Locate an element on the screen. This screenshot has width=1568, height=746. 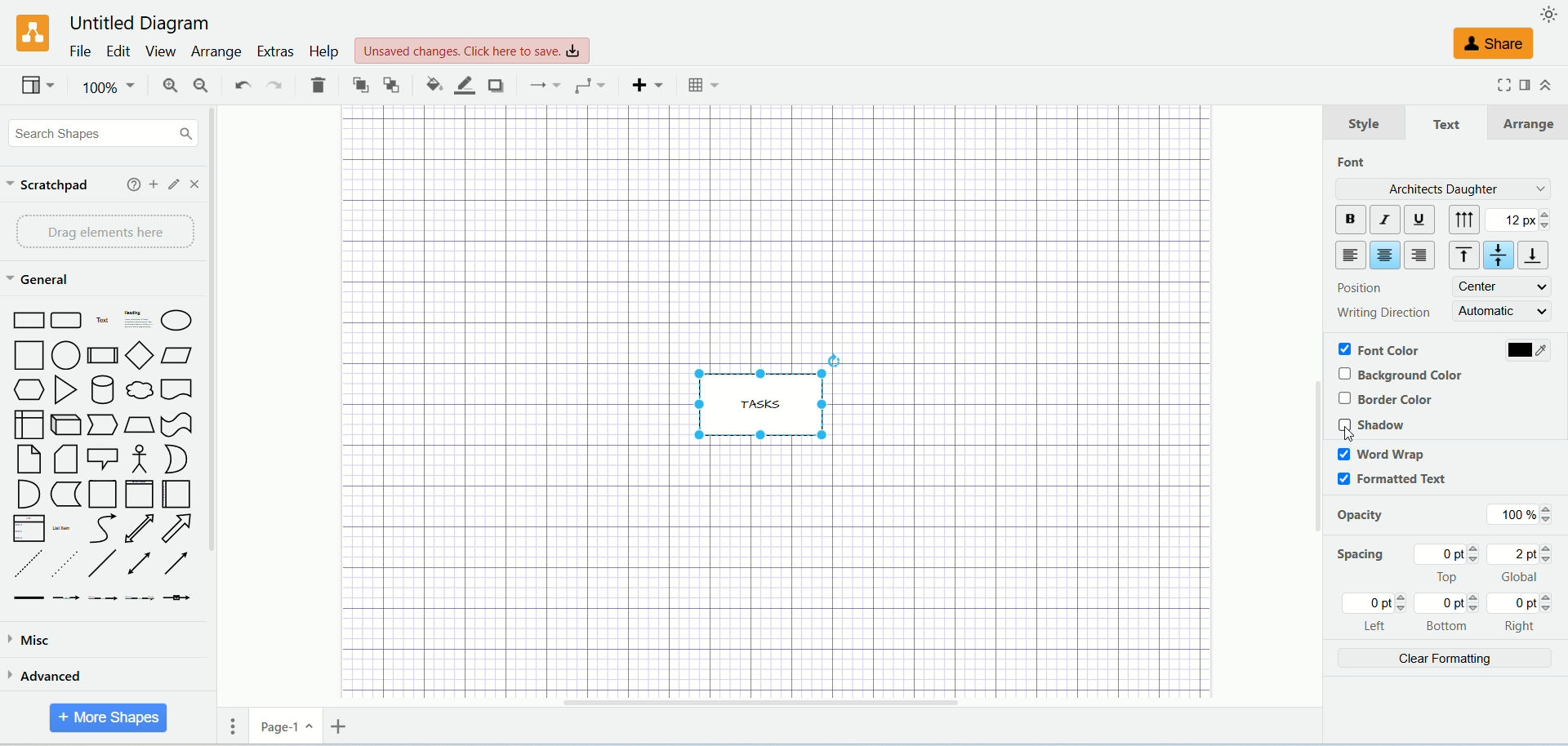
Process is located at coordinates (102, 356).